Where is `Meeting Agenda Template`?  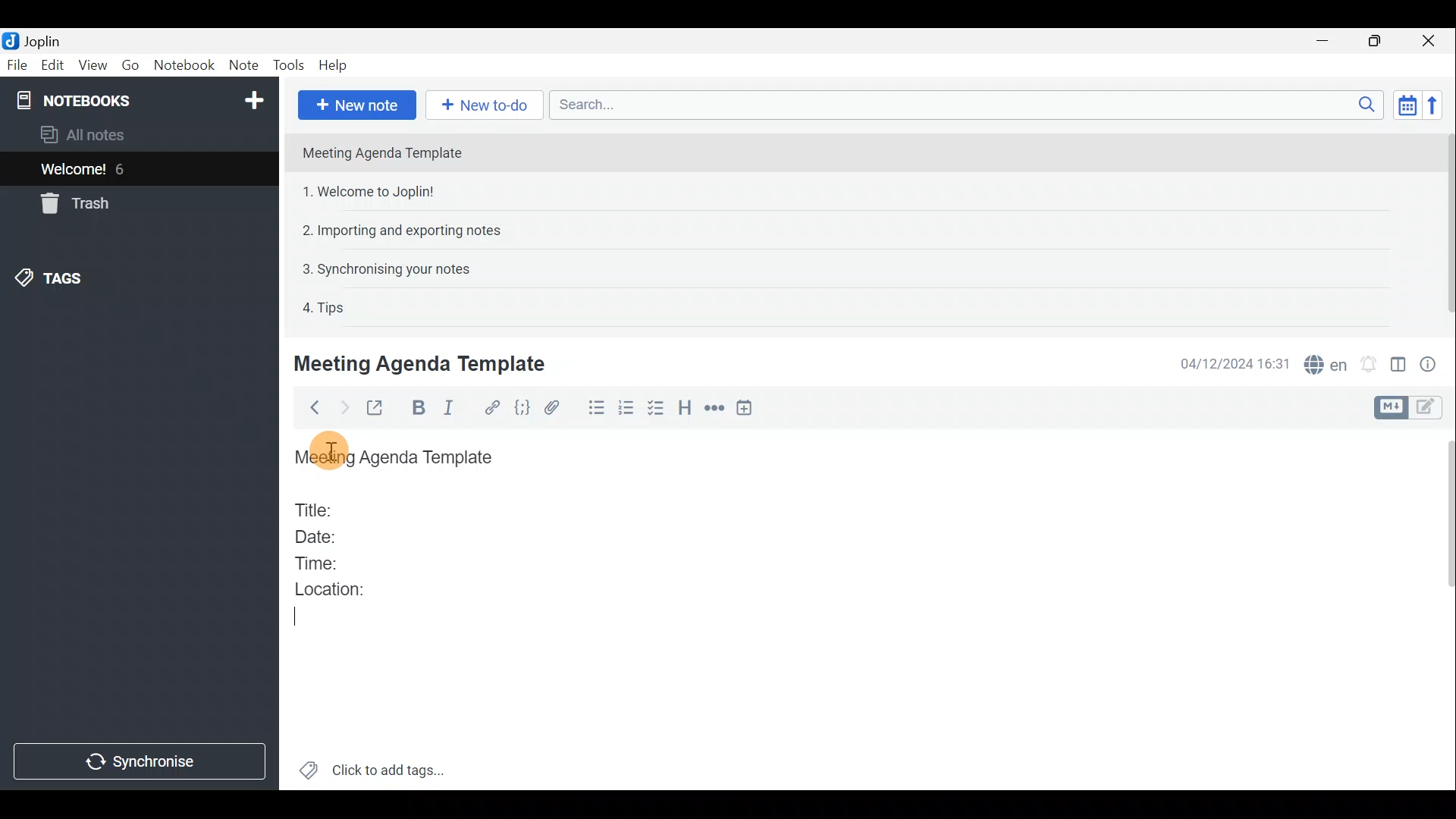 Meeting Agenda Template is located at coordinates (384, 152).